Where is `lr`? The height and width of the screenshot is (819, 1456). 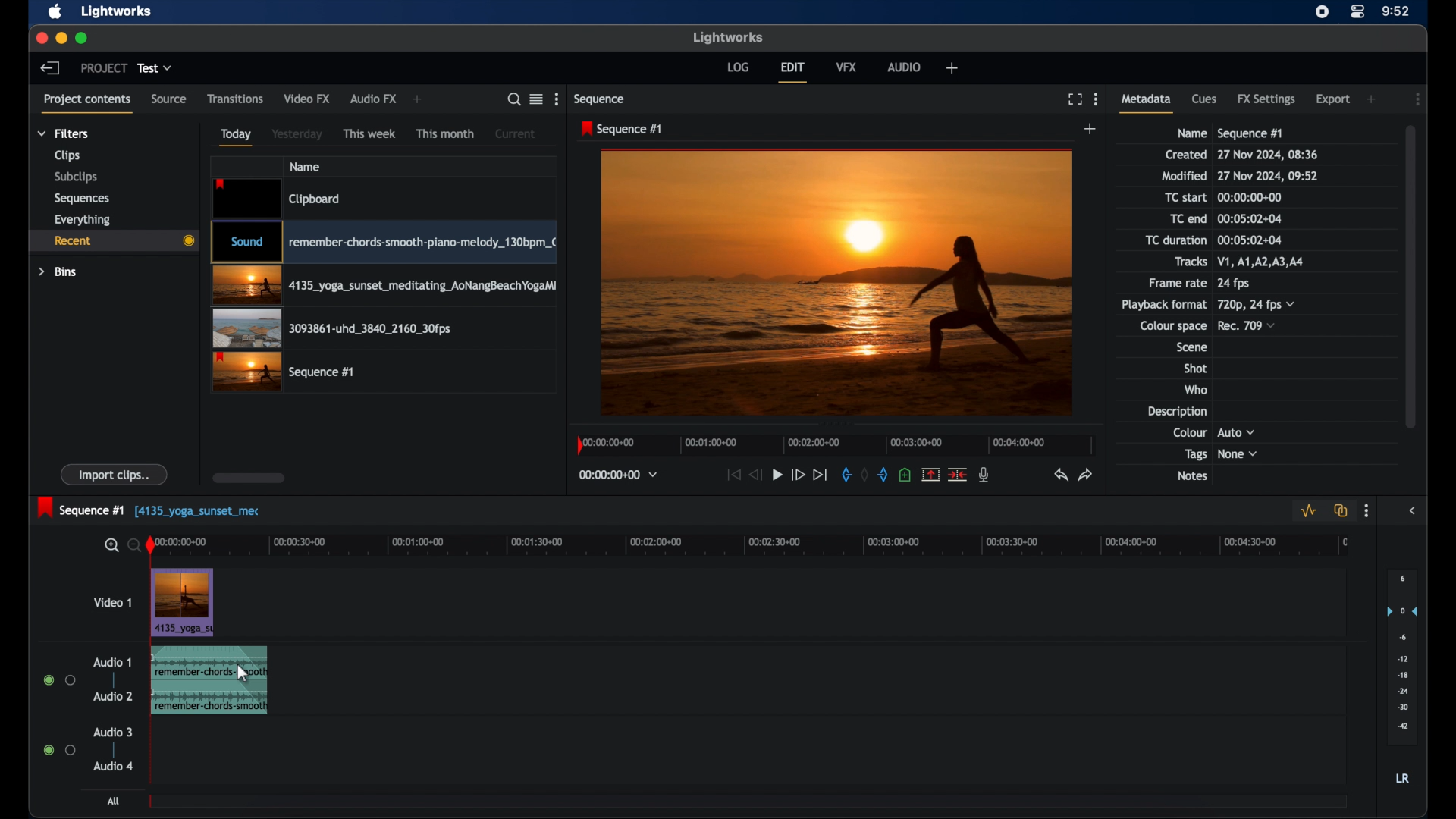 lr is located at coordinates (1402, 778).